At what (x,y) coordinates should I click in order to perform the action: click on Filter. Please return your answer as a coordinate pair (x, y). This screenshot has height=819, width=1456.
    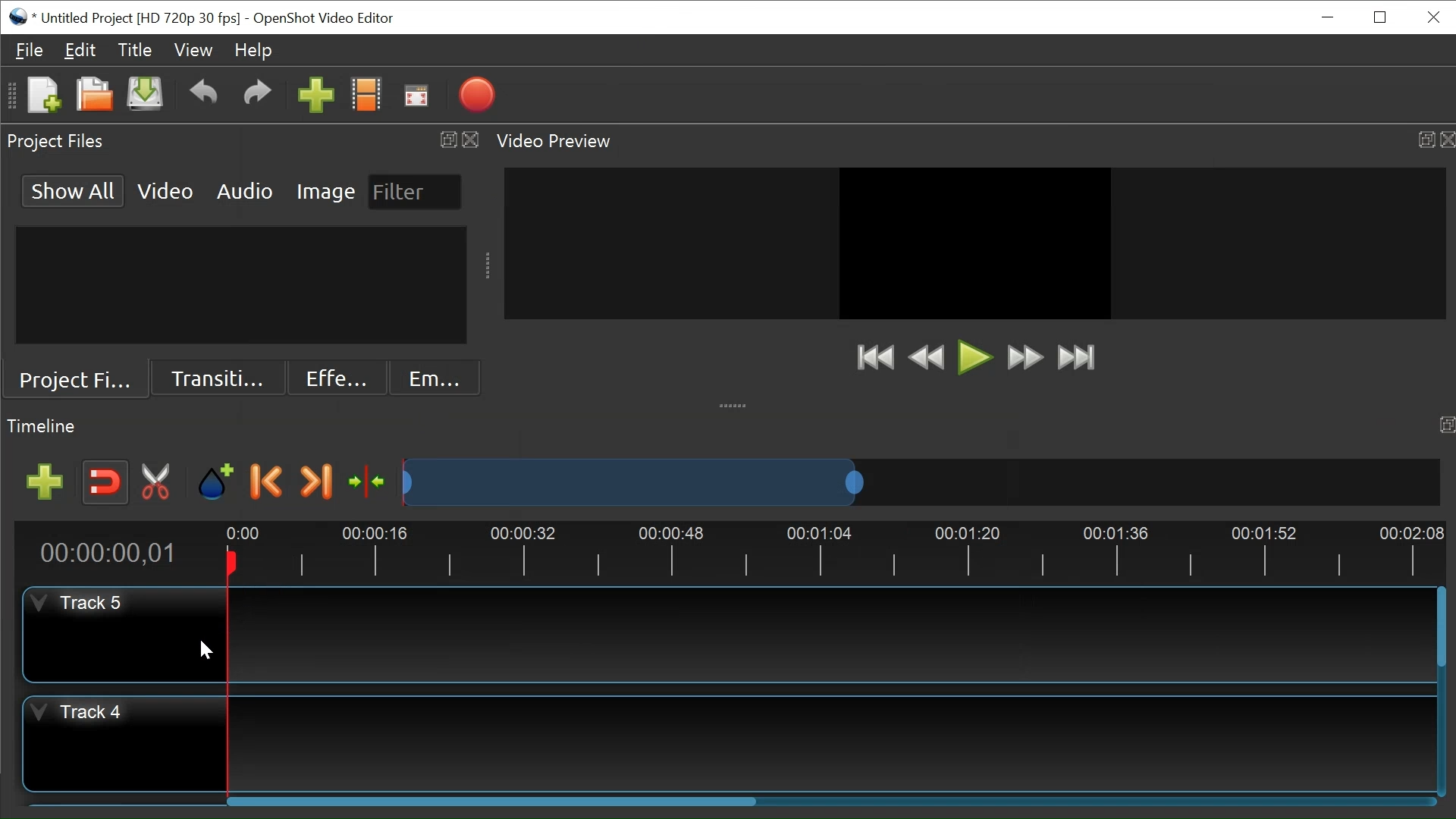
    Looking at the image, I should click on (413, 192).